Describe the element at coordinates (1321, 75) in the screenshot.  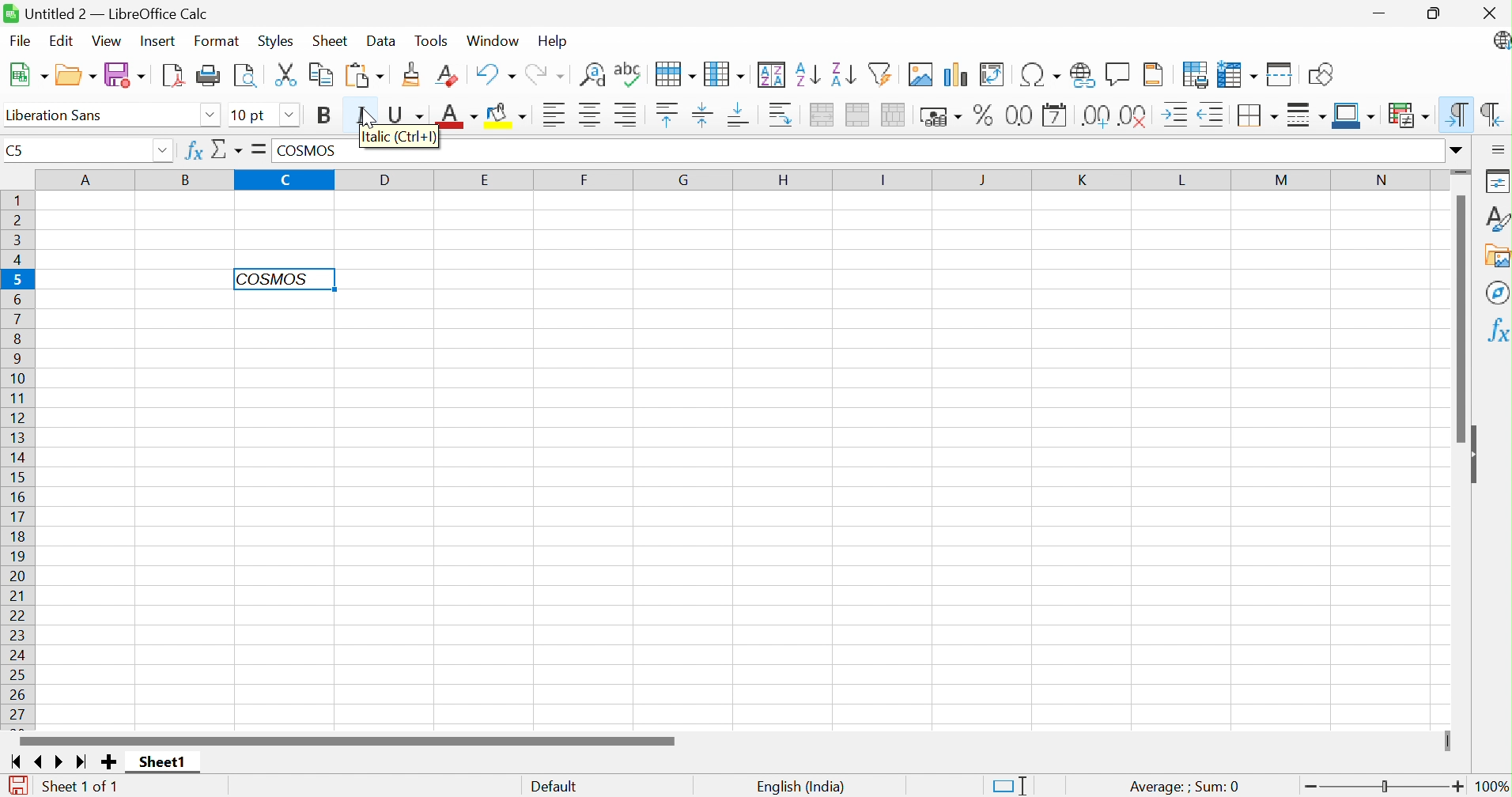
I see `Show draw functions` at that location.